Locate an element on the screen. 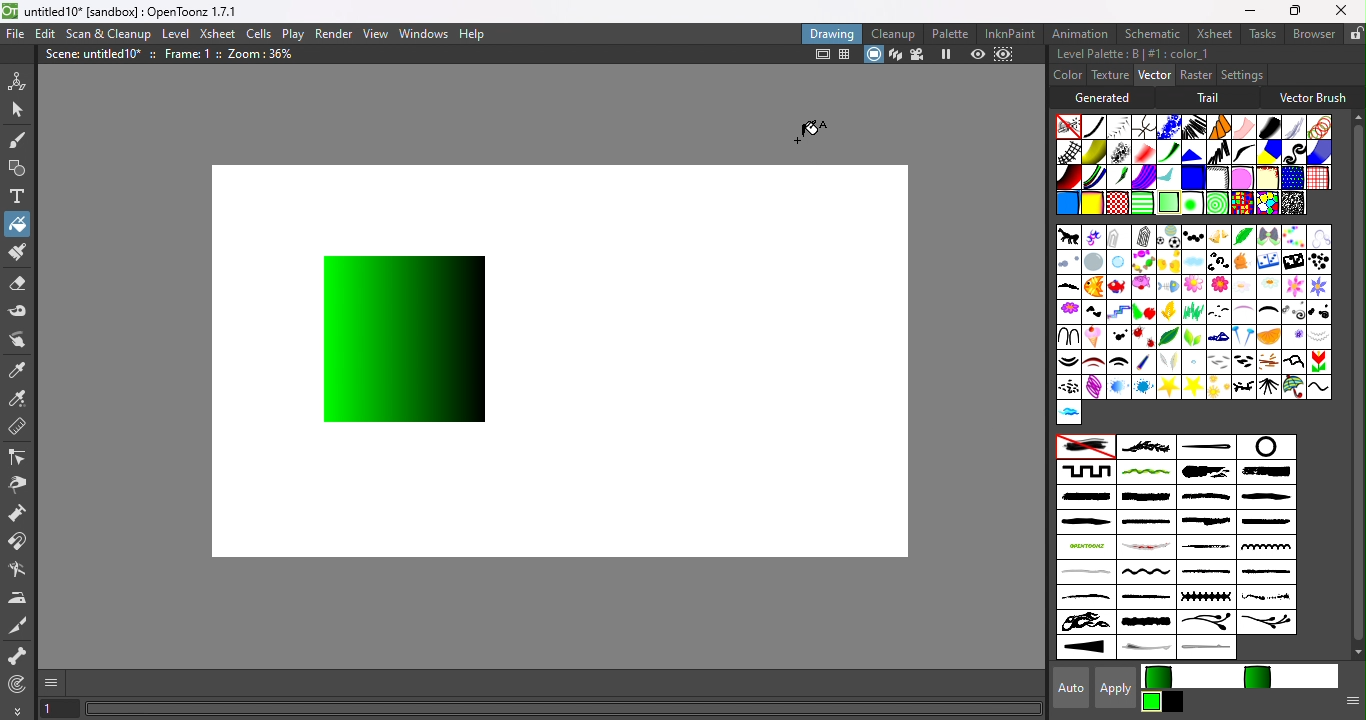 This screenshot has width=1366, height=720. Scan & Cleanup is located at coordinates (109, 33).